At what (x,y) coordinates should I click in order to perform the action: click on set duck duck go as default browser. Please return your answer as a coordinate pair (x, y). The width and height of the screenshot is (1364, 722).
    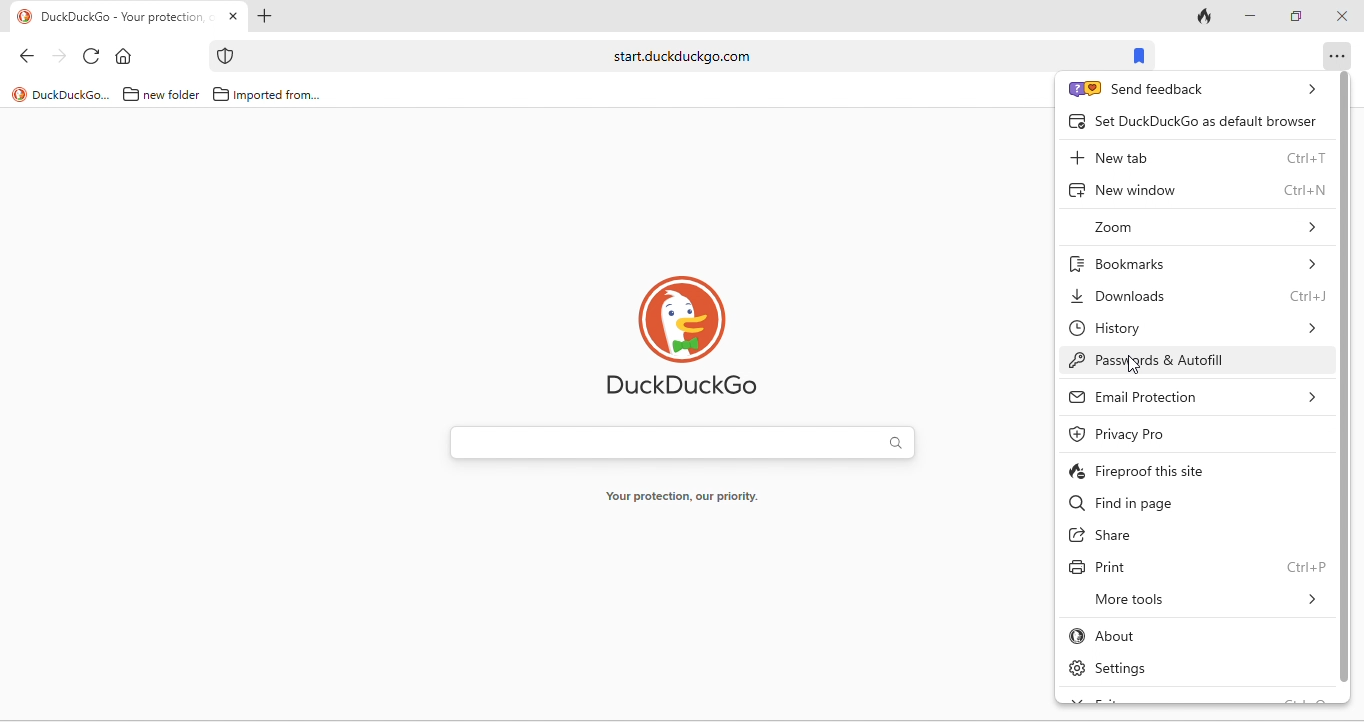
    Looking at the image, I should click on (1192, 122).